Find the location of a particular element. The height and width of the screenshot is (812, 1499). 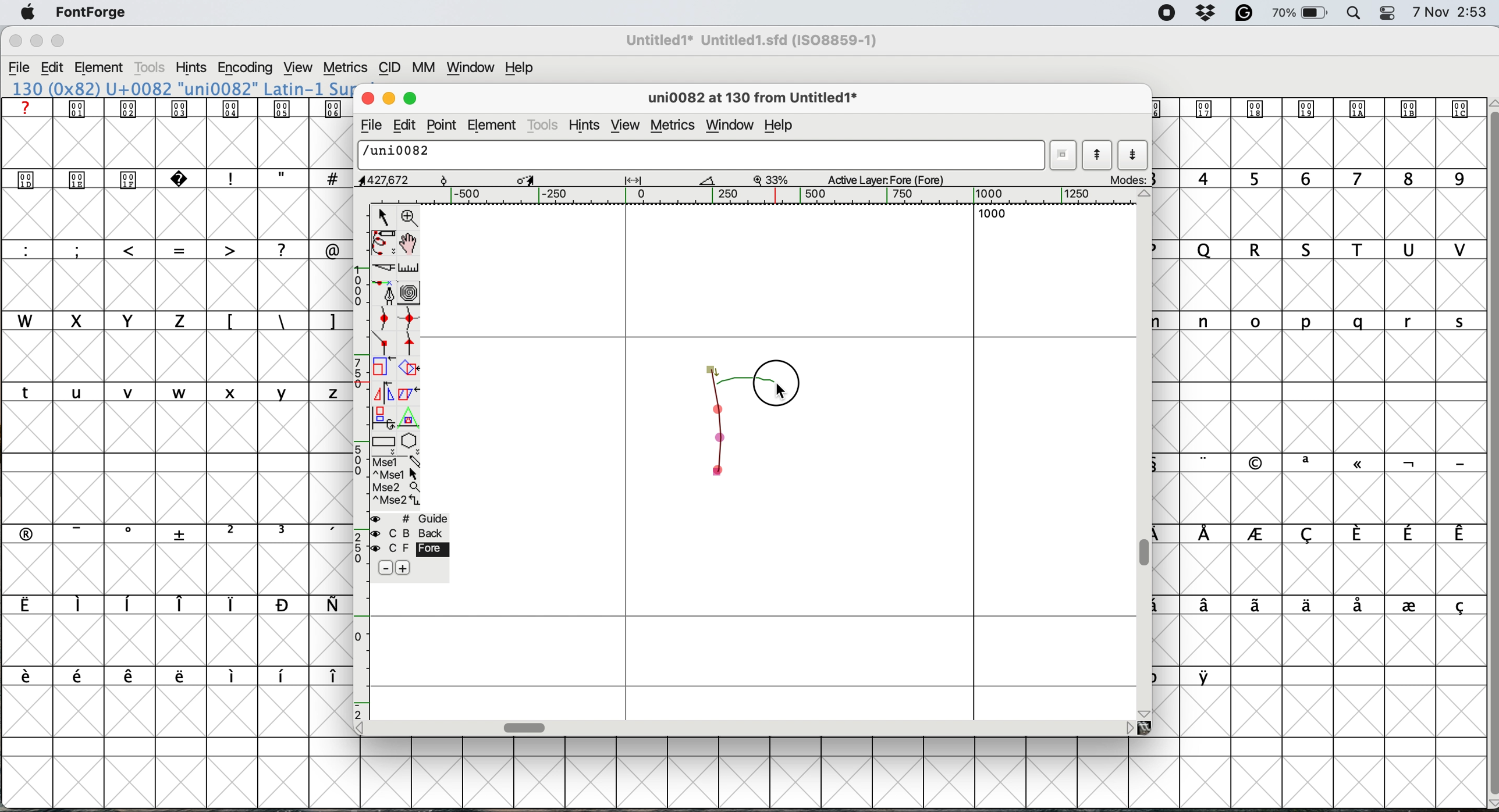

help is located at coordinates (784, 126).